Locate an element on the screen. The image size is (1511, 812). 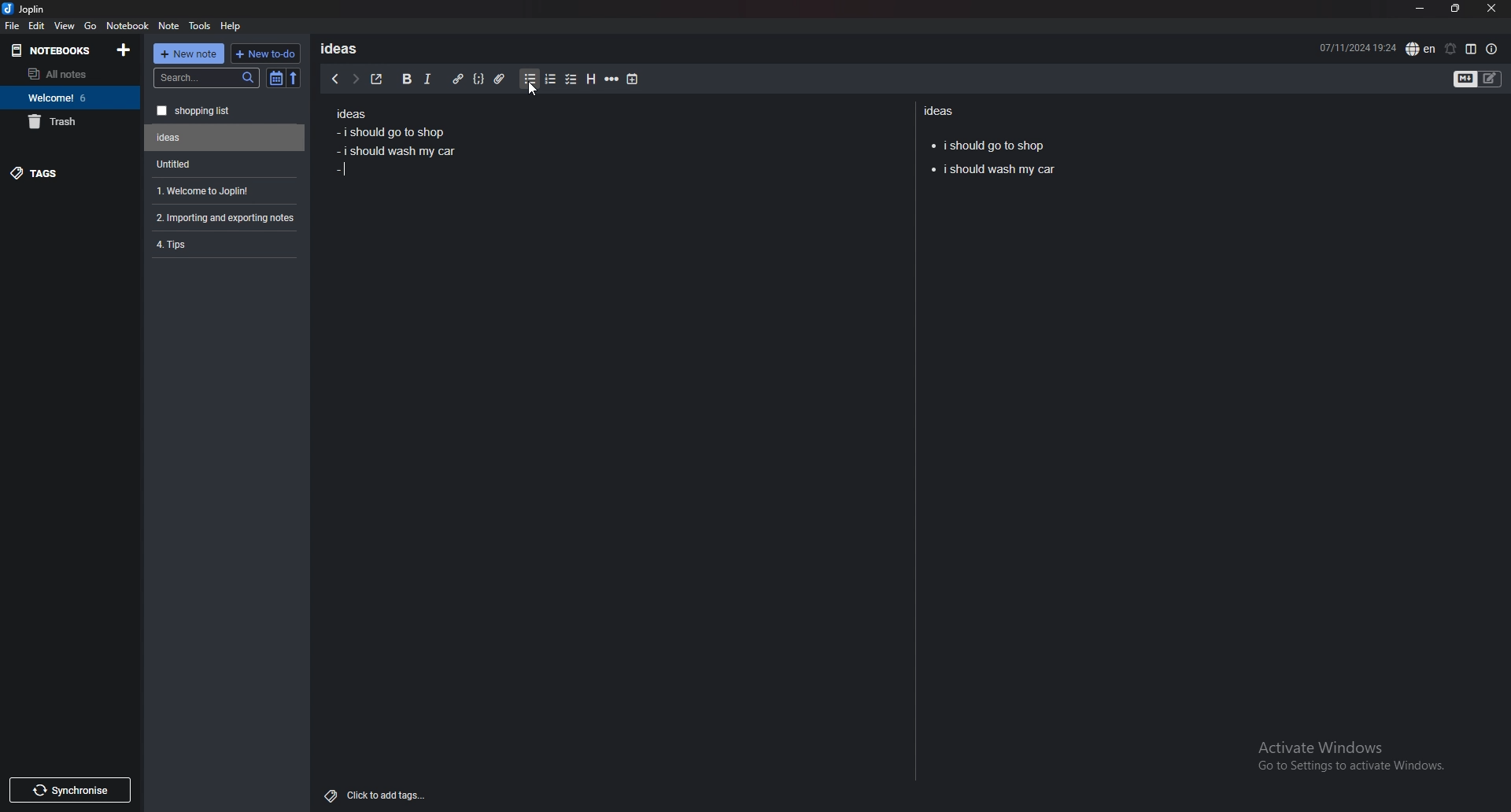
note is located at coordinates (169, 26).